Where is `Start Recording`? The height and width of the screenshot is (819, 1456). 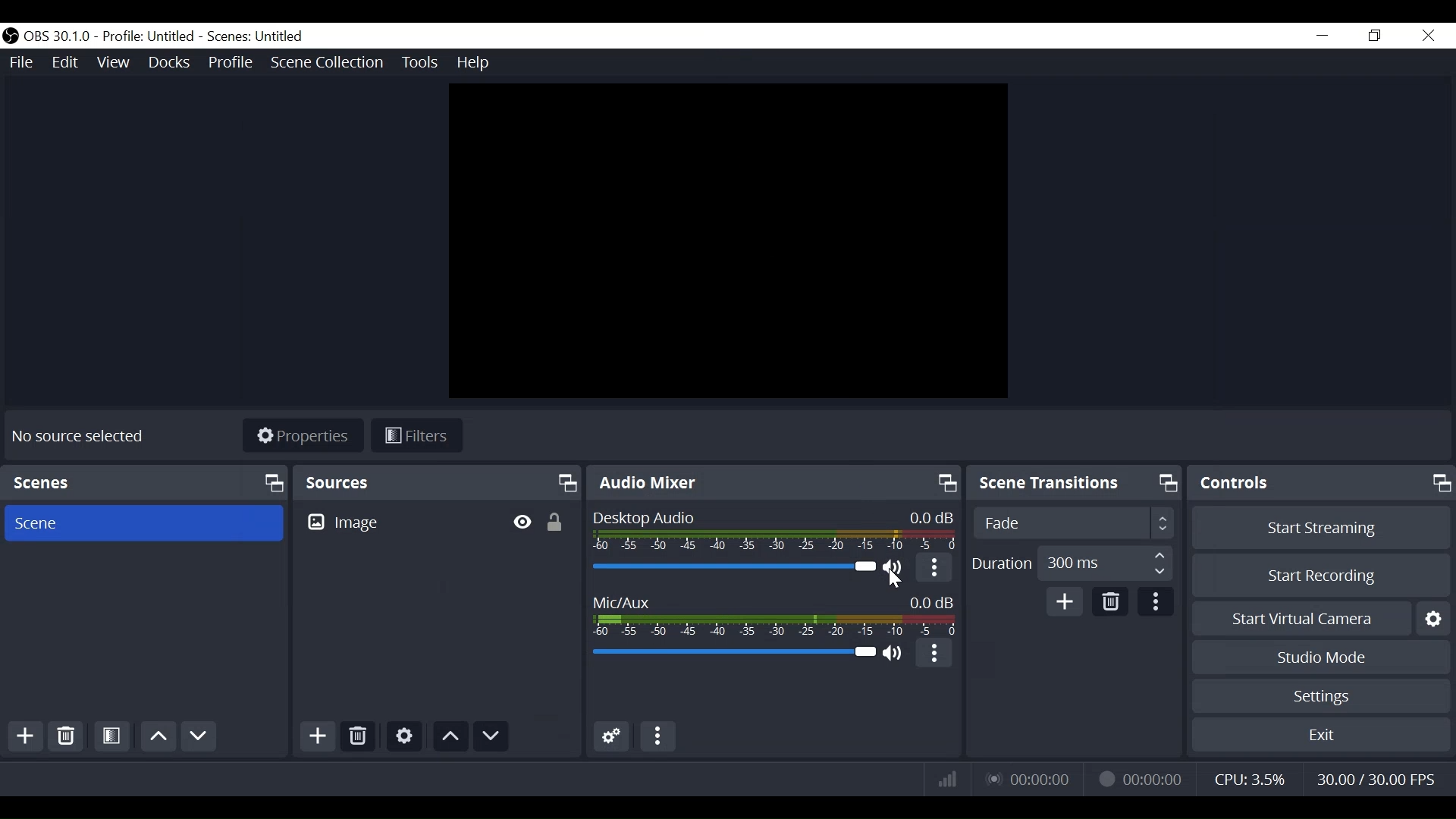 Start Recording is located at coordinates (1321, 576).